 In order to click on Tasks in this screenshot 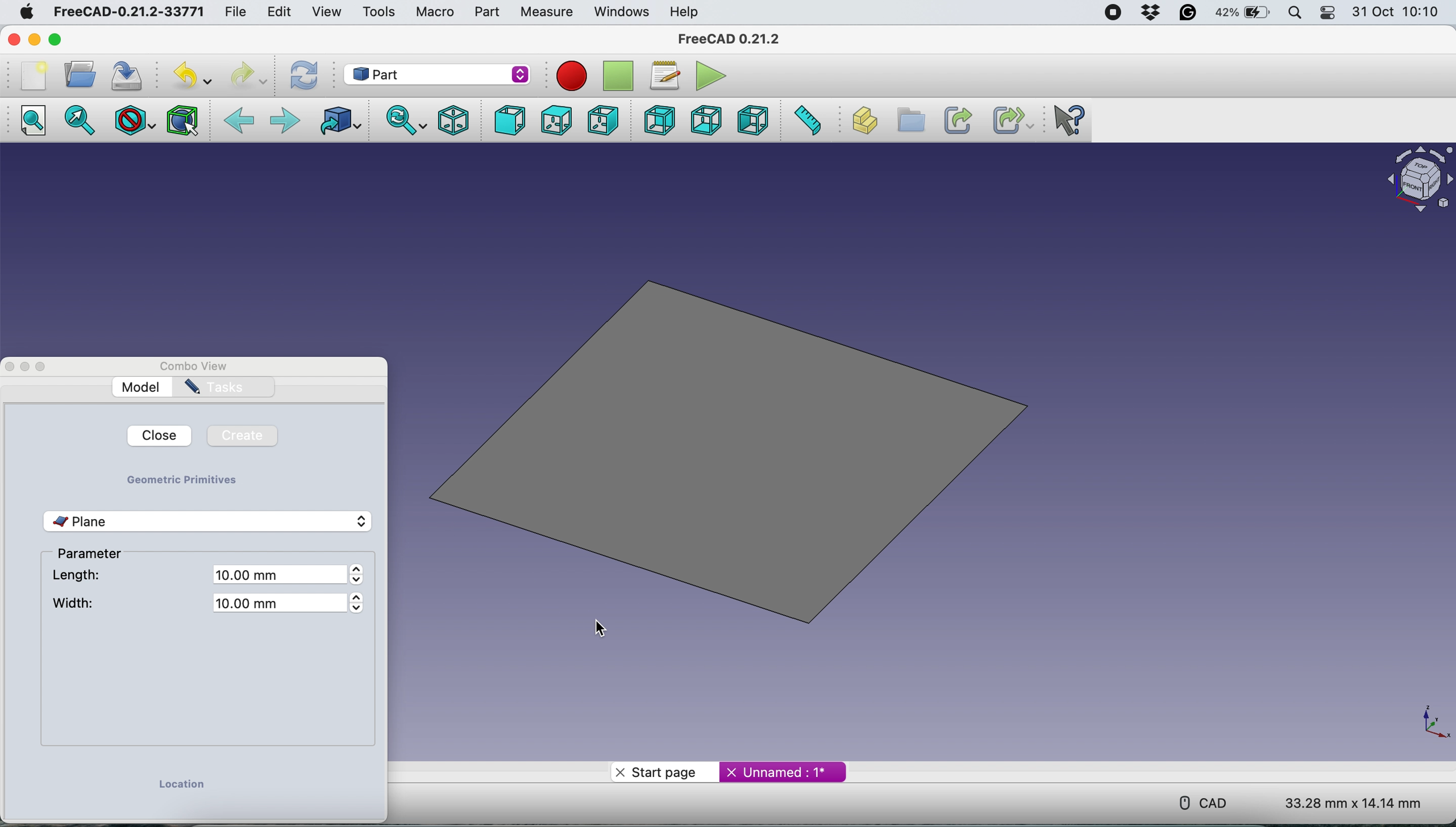, I will do `click(214, 388)`.